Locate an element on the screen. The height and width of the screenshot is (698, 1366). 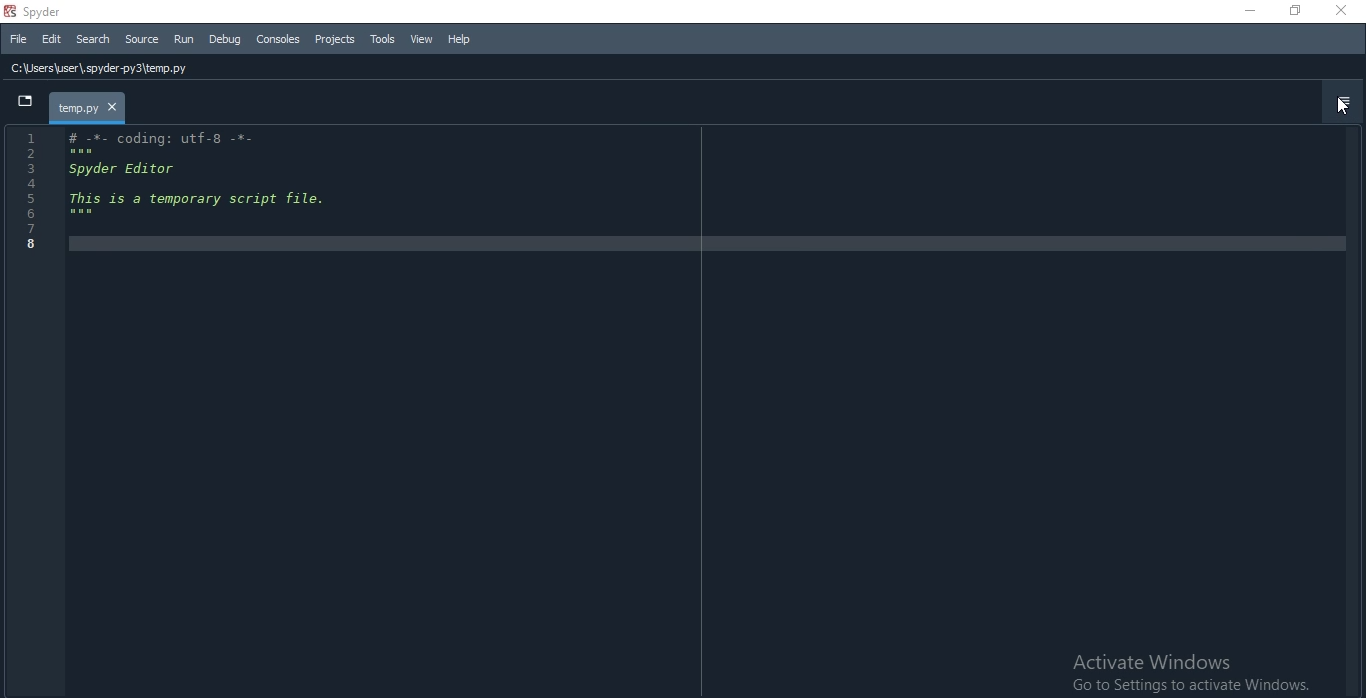
Search is located at coordinates (92, 40).